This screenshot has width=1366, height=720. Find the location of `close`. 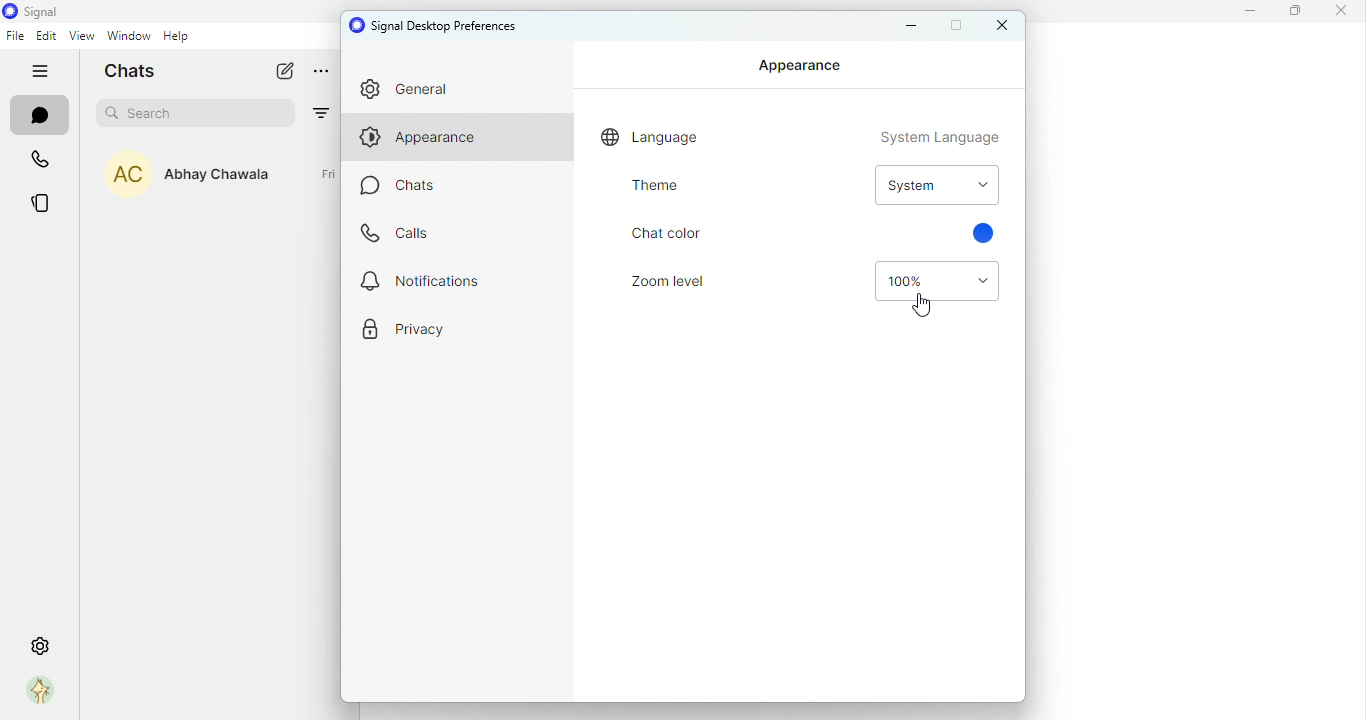

close is located at coordinates (1001, 26).